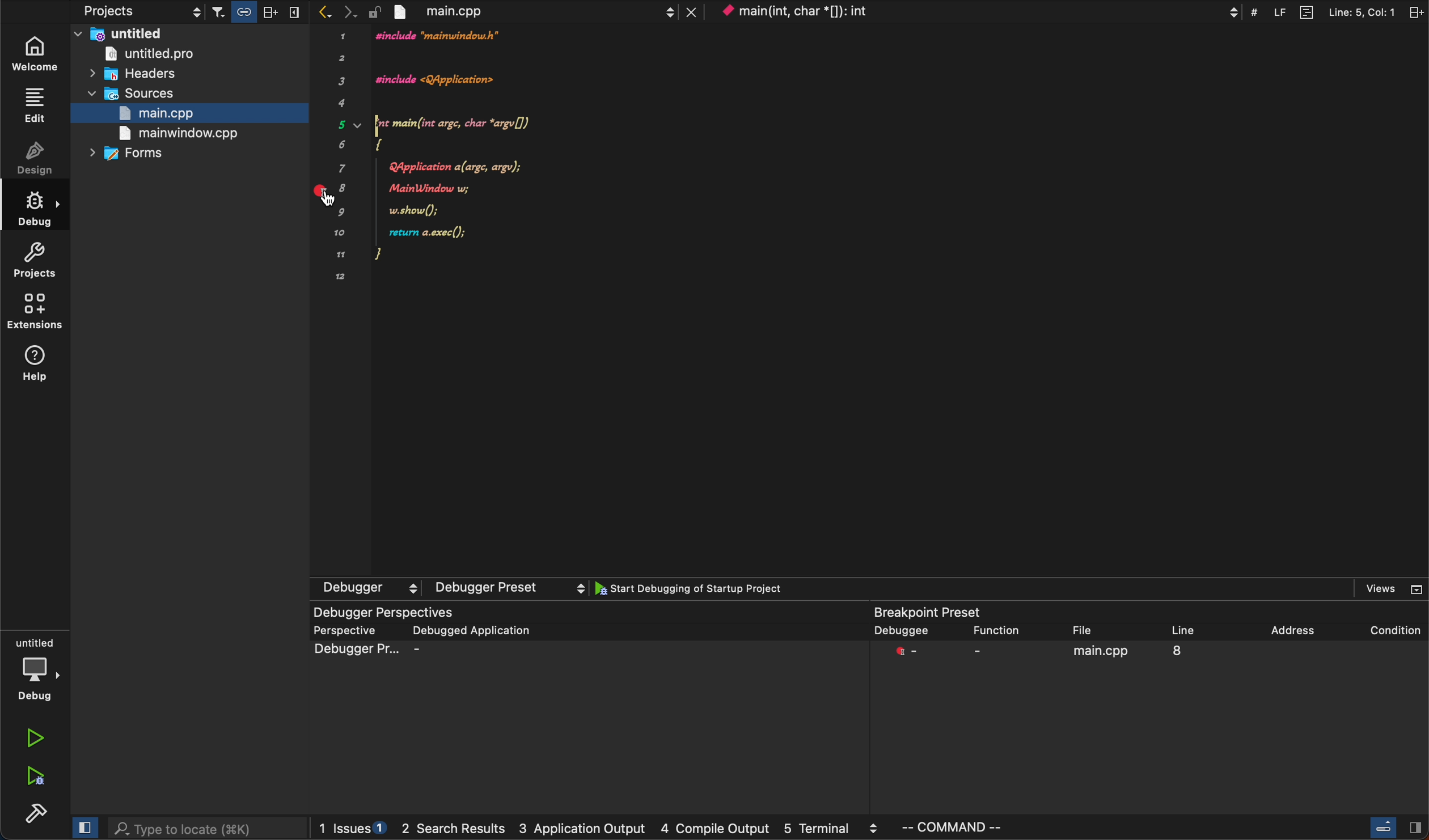 This screenshot has width=1429, height=840. What do you see at coordinates (152, 95) in the screenshot?
I see `sources` at bounding box center [152, 95].